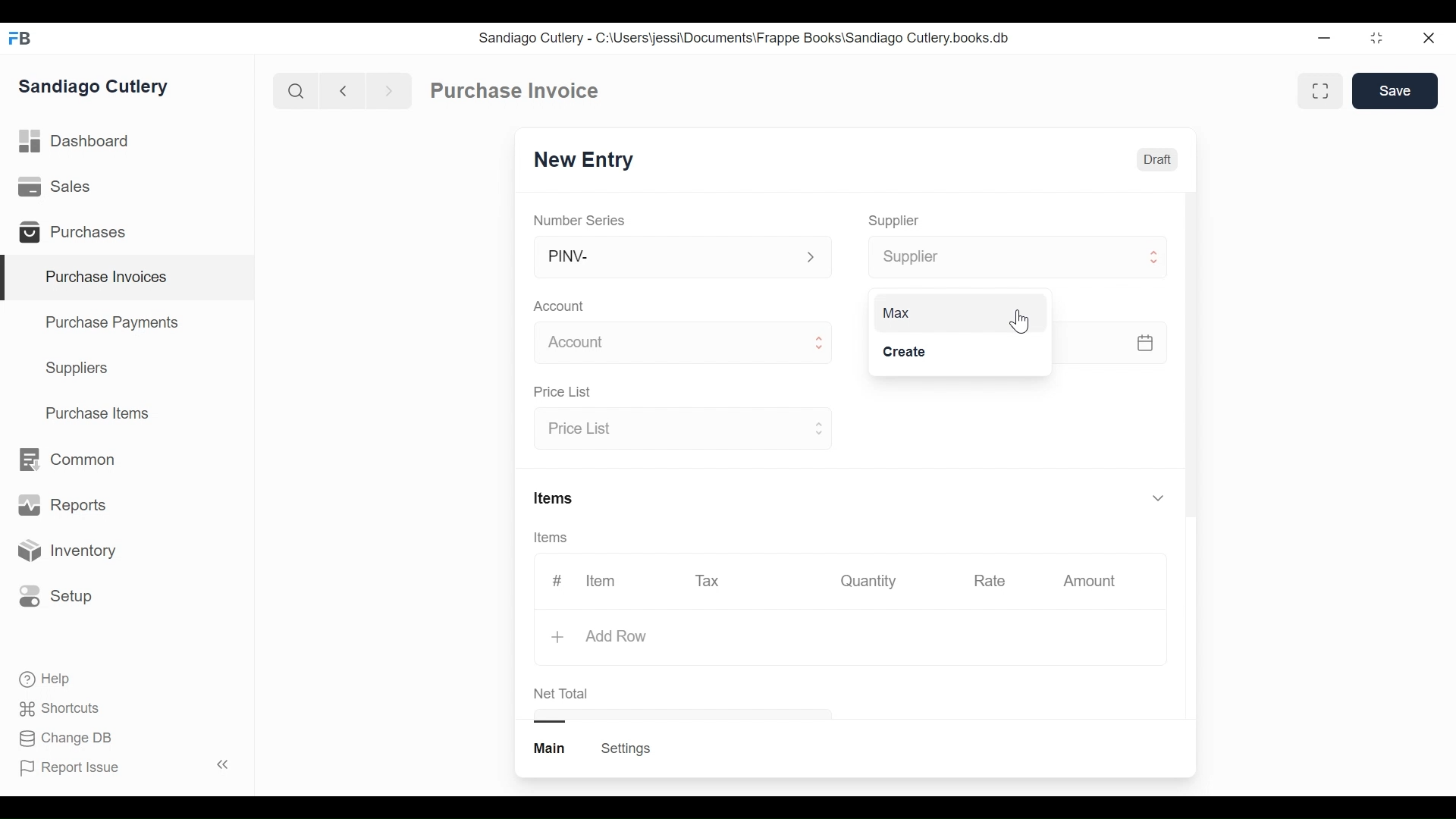 This screenshot has width=1456, height=819. Describe the element at coordinates (128, 278) in the screenshot. I see `Purchase Invoices` at that location.